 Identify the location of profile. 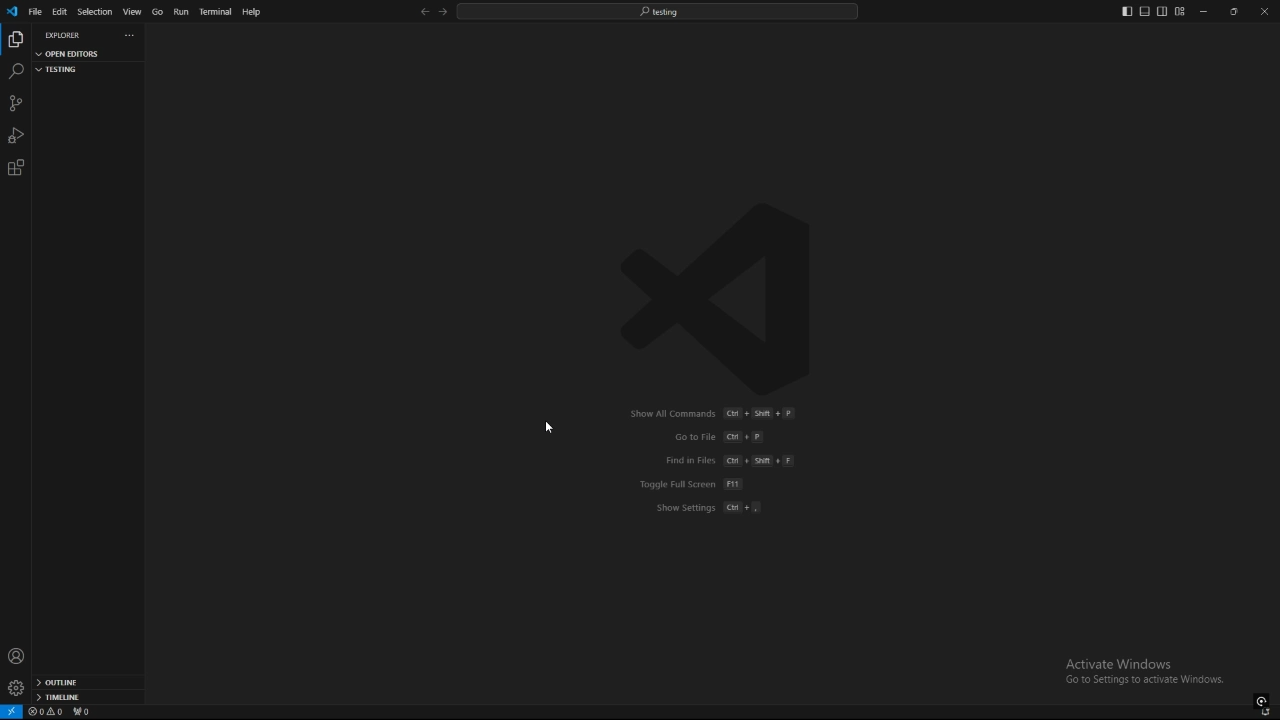
(16, 656).